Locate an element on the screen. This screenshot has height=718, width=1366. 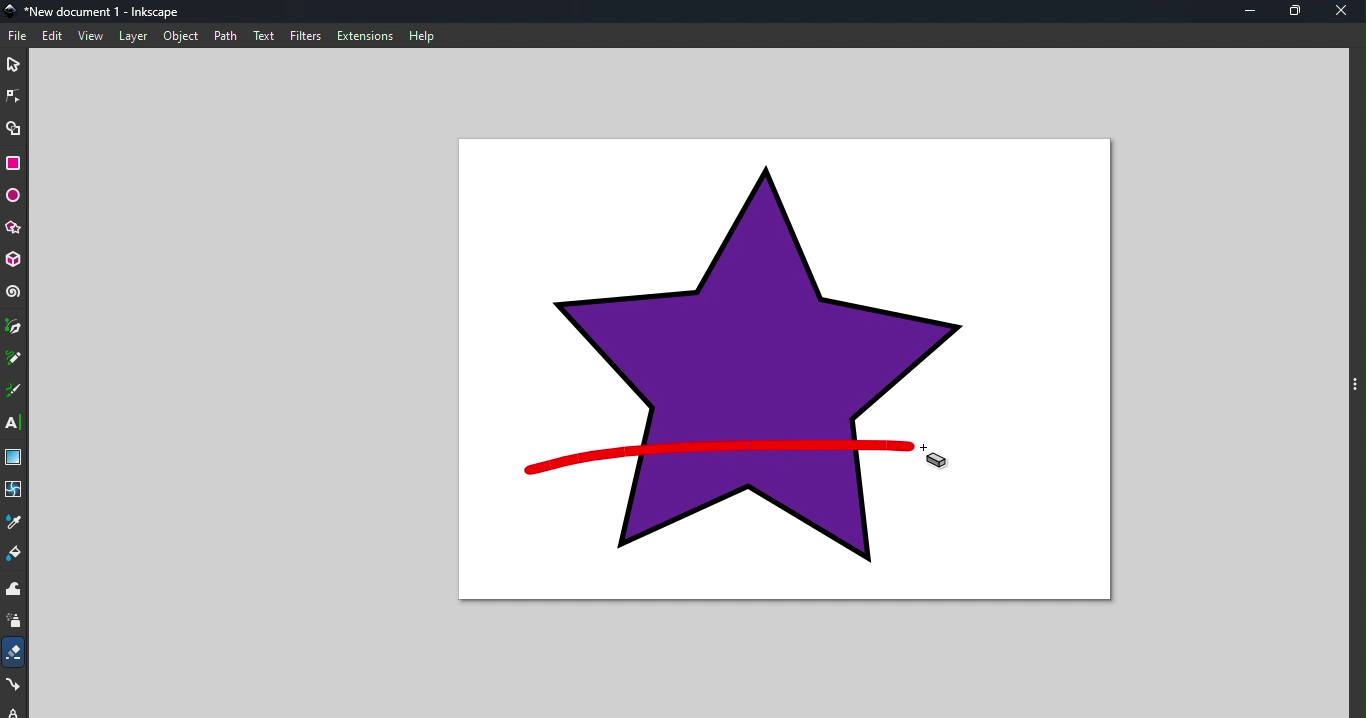
star/polygon is located at coordinates (13, 228).